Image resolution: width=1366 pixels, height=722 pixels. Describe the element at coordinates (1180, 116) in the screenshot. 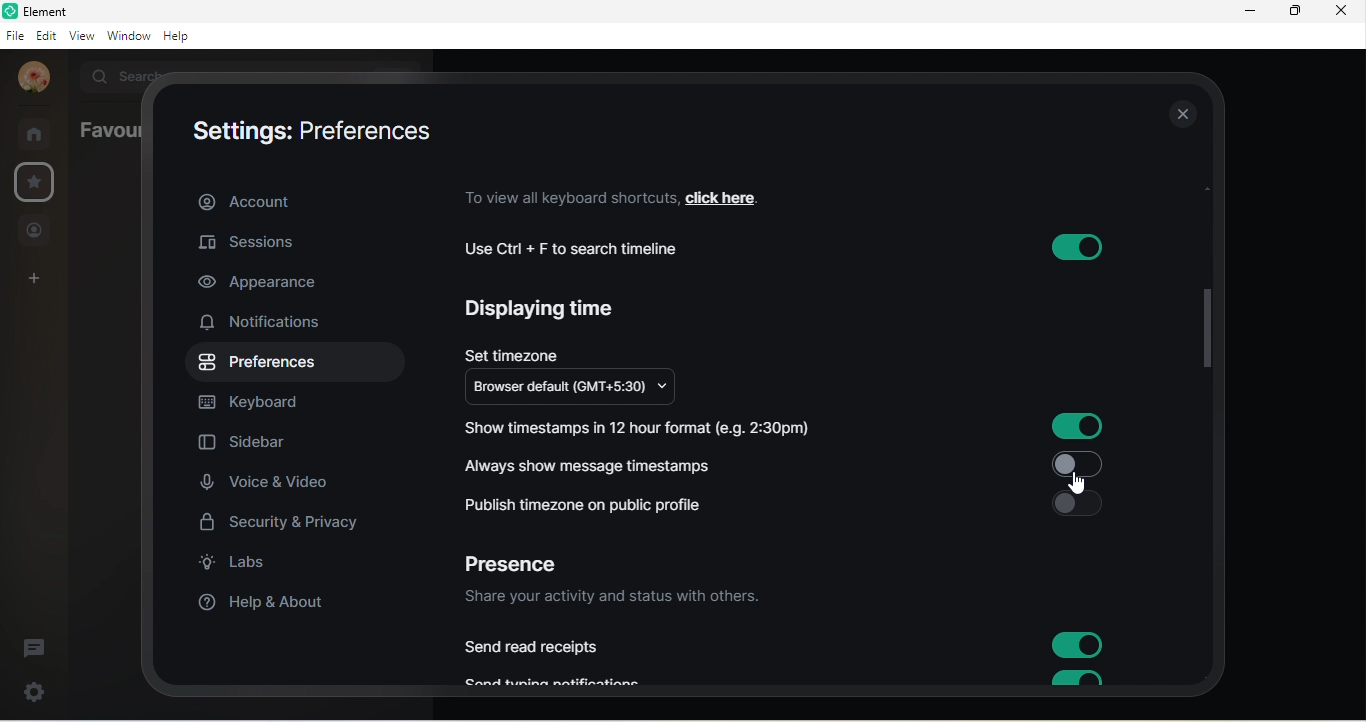

I see `close` at that location.